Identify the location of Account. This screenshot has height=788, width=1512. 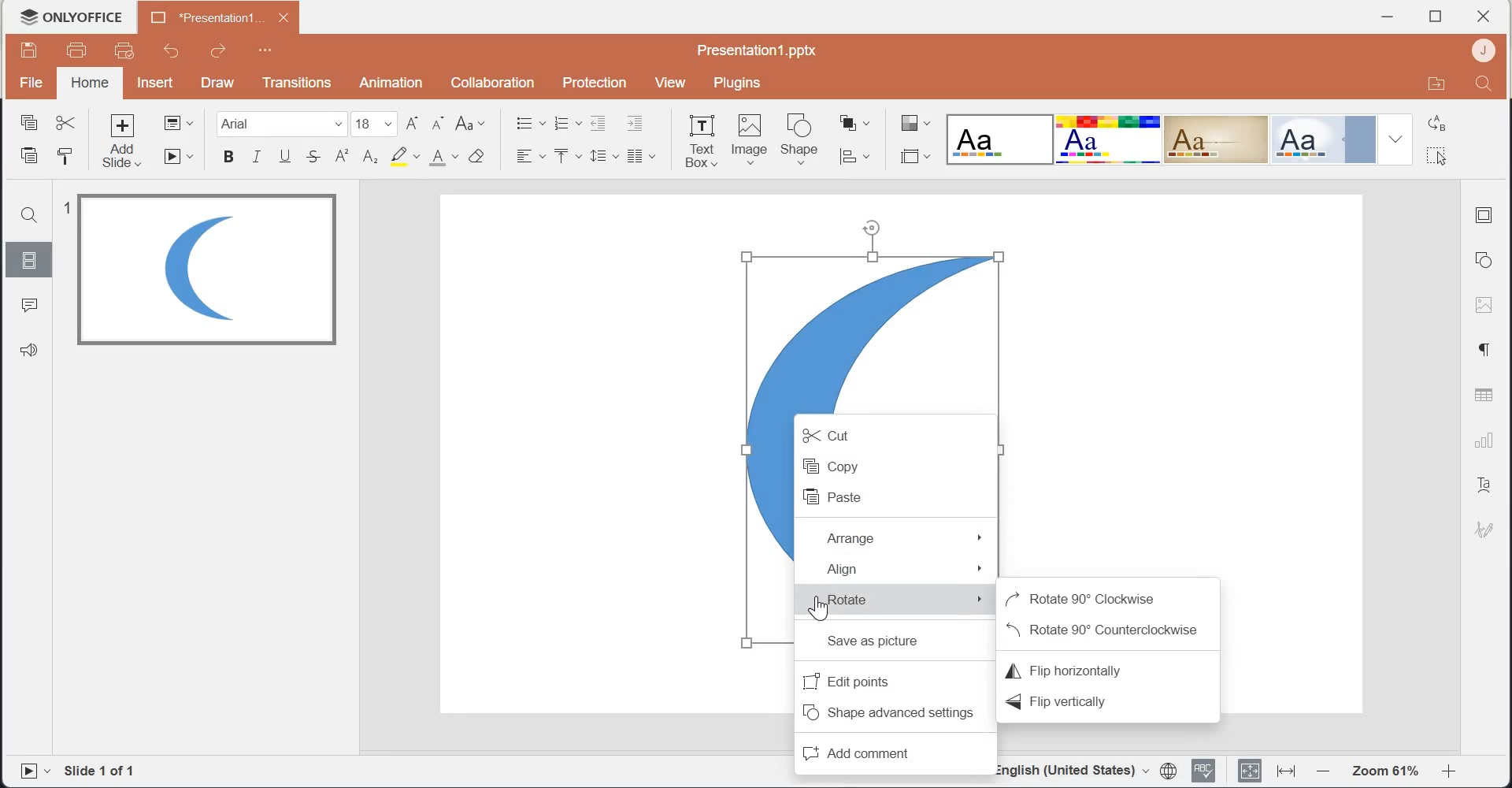
(1481, 50).